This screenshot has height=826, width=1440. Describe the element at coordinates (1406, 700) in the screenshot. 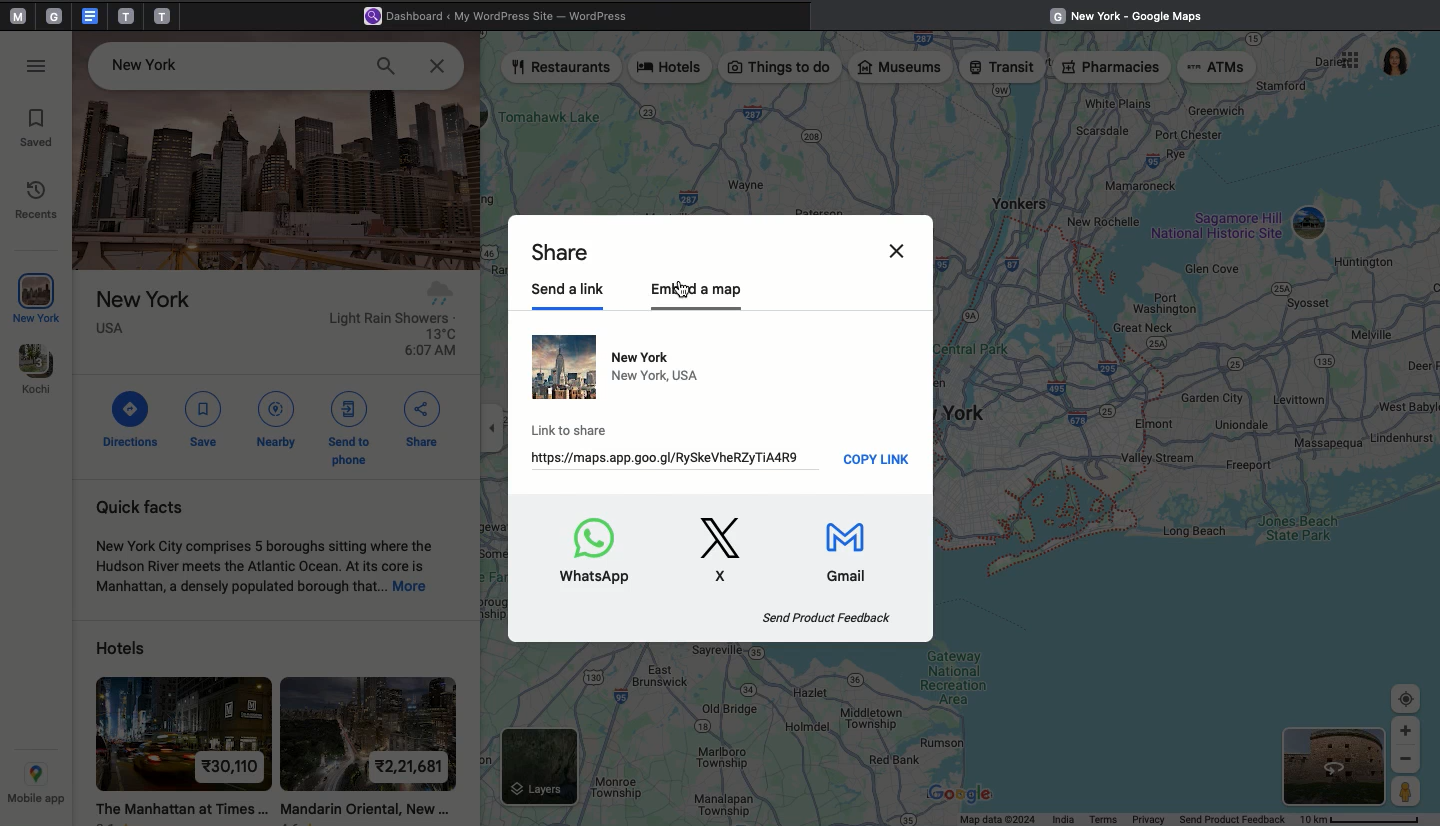

I see `Target` at that location.